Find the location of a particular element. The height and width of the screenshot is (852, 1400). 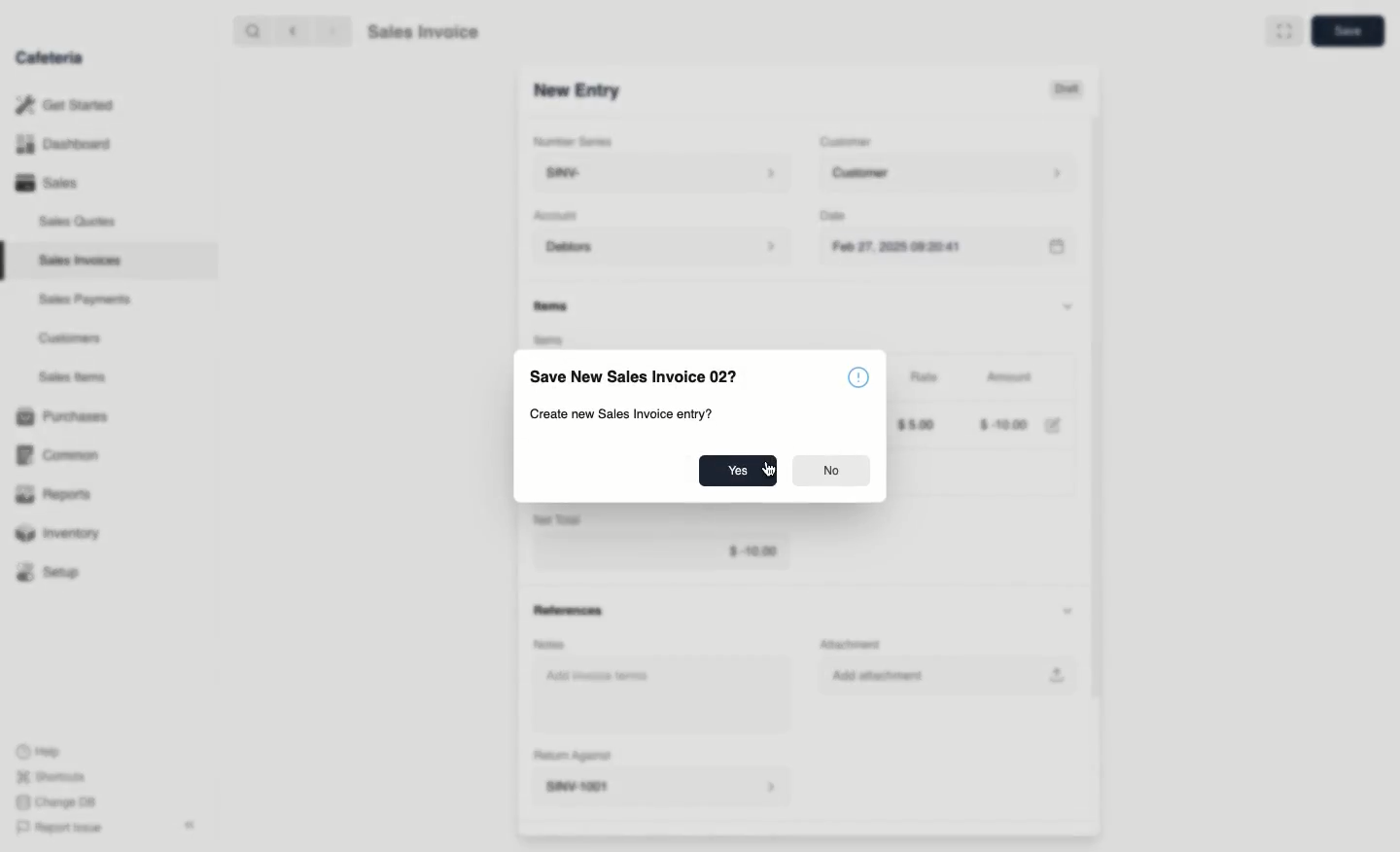

Customers is located at coordinates (70, 339).